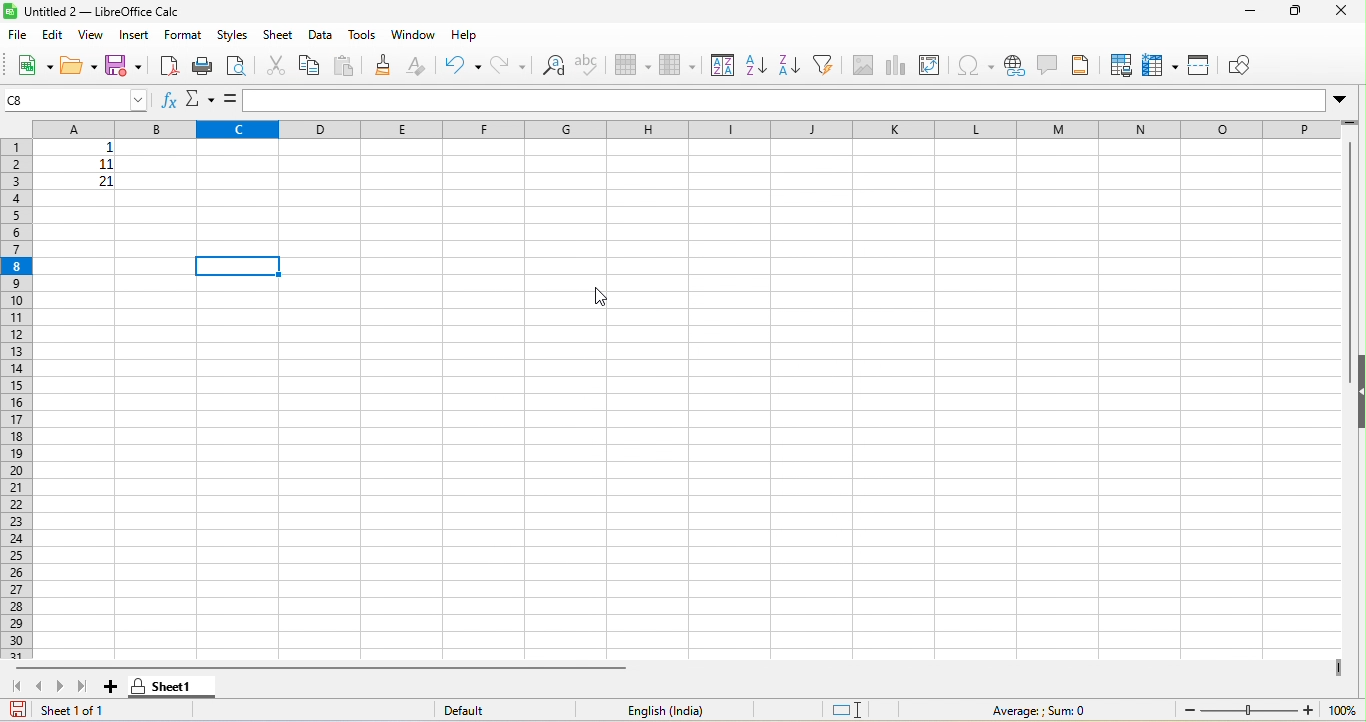 This screenshot has height=722, width=1366. Describe the element at coordinates (1345, 11) in the screenshot. I see `close` at that location.